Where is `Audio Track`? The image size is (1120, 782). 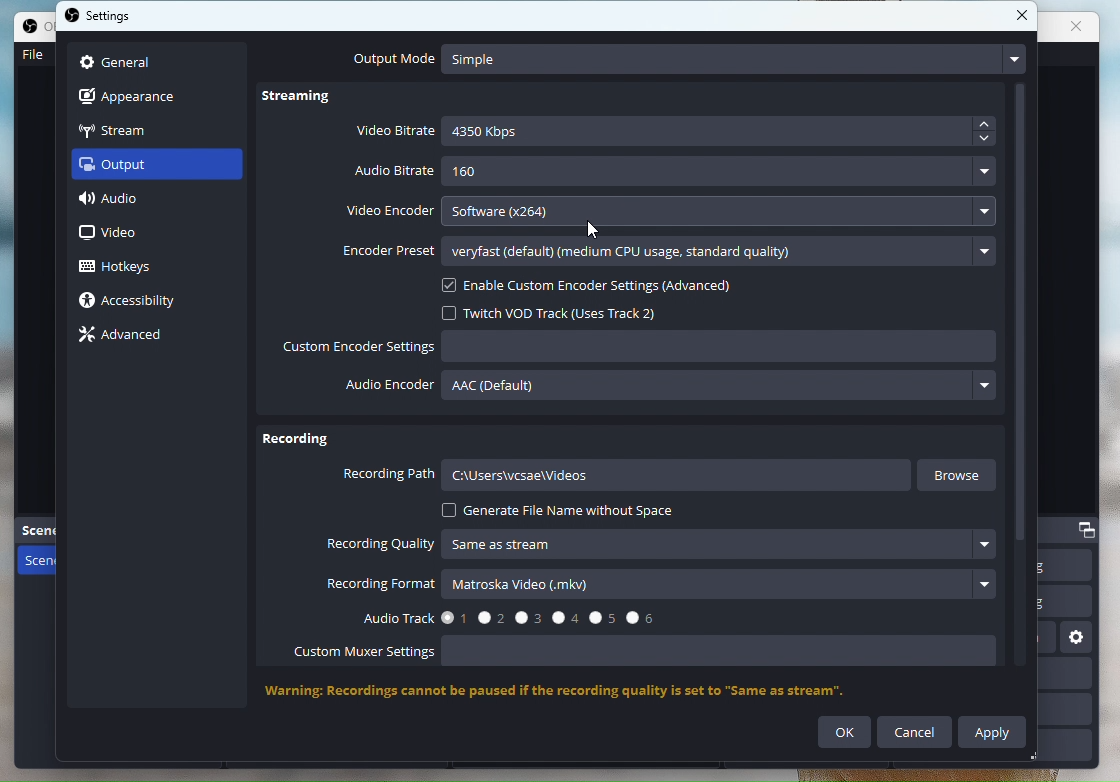 Audio Track is located at coordinates (502, 616).